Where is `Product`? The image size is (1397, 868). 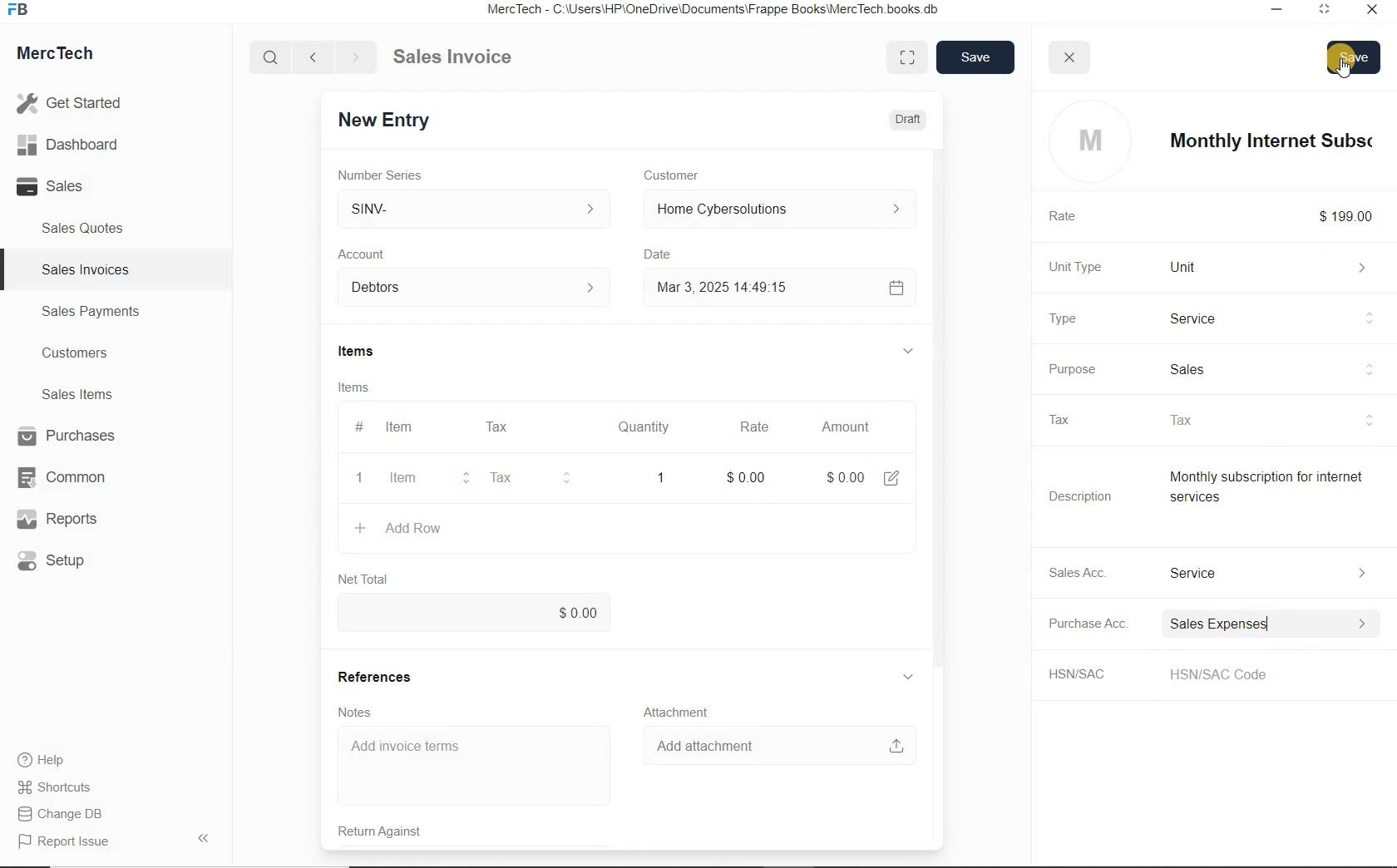
Product is located at coordinates (1261, 318).